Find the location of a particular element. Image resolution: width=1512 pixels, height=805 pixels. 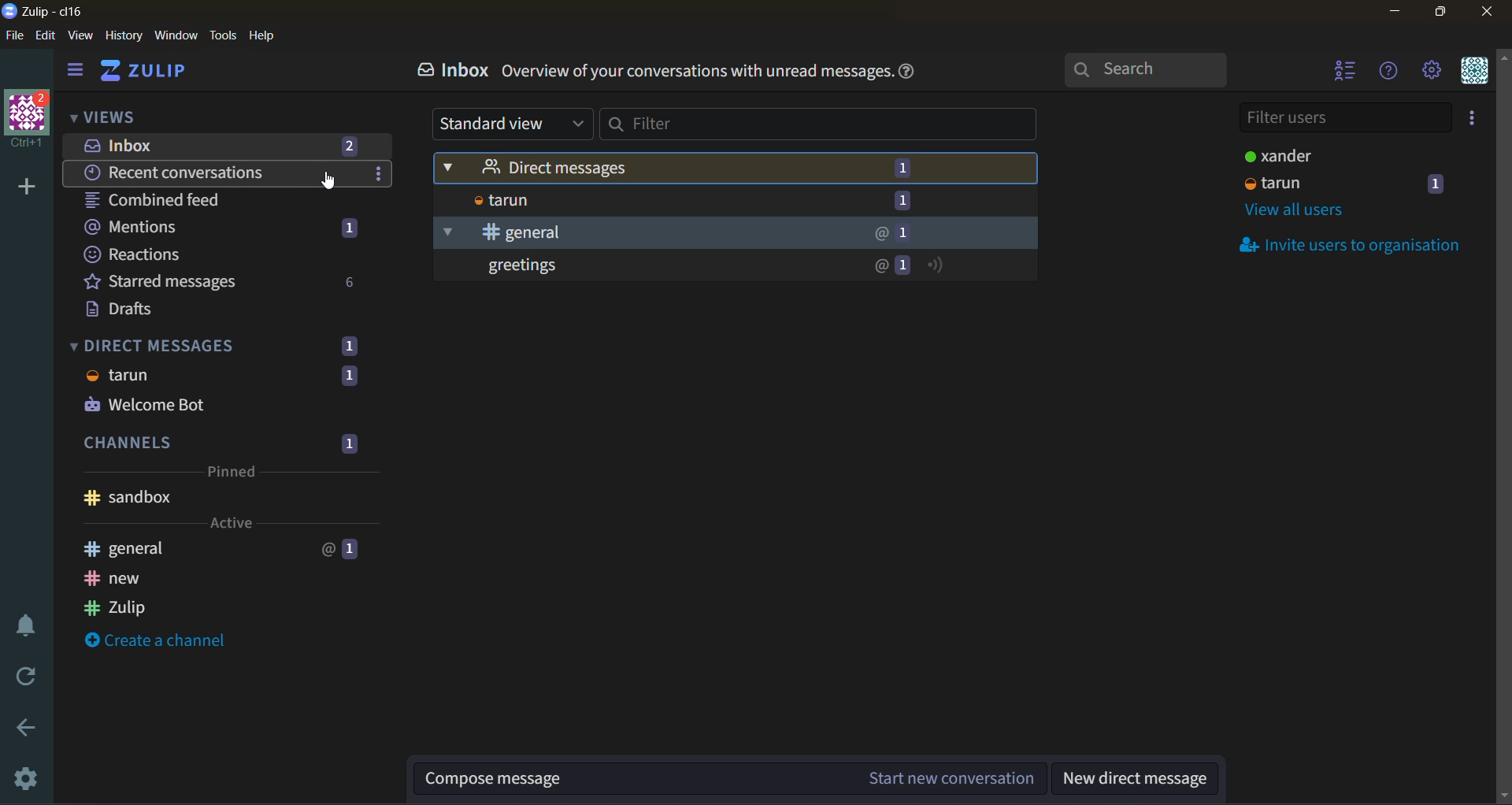

direct messages is located at coordinates (223, 344).